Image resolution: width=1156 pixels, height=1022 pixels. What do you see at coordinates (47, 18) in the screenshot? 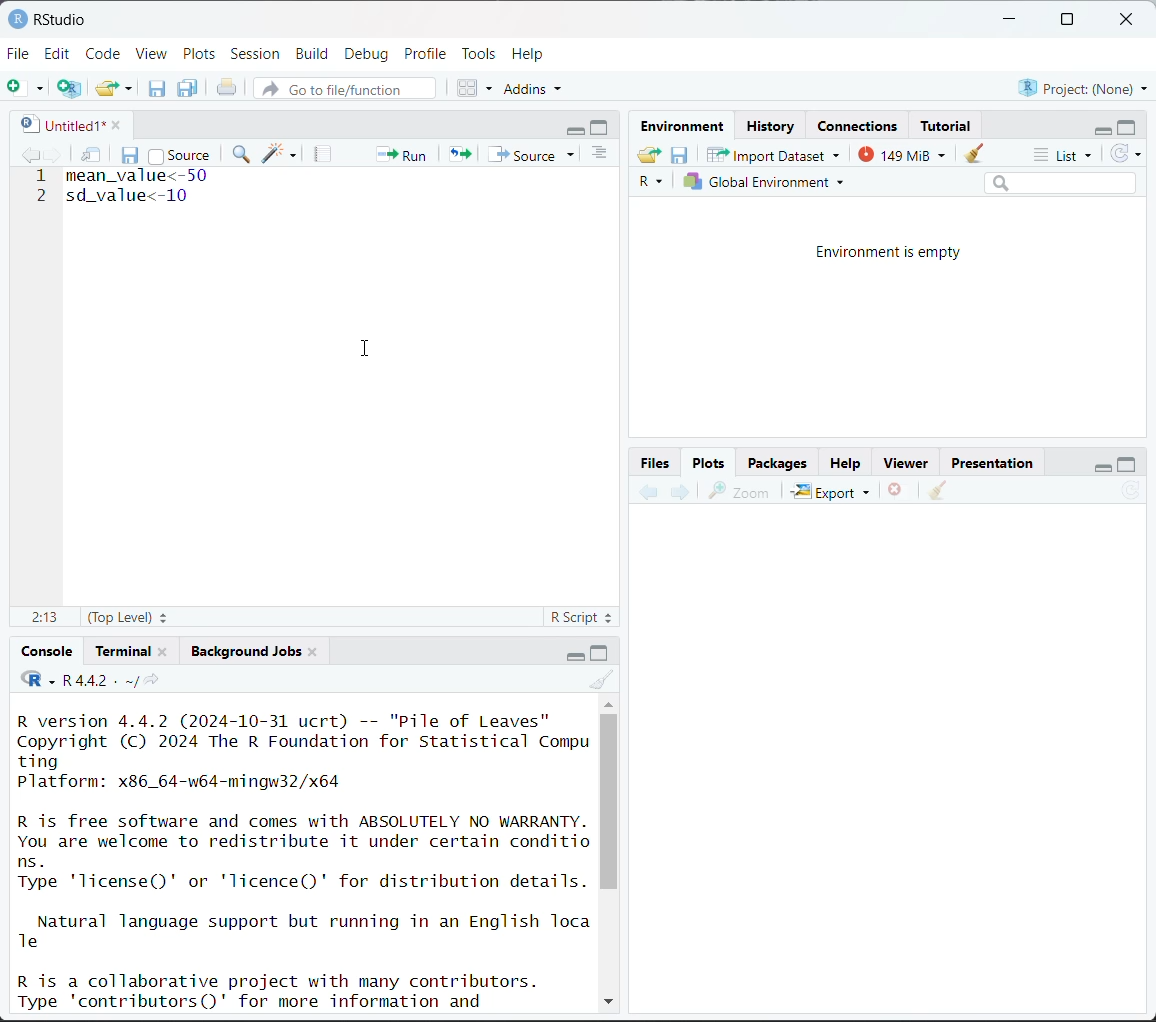
I see `RStudio` at bounding box center [47, 18].